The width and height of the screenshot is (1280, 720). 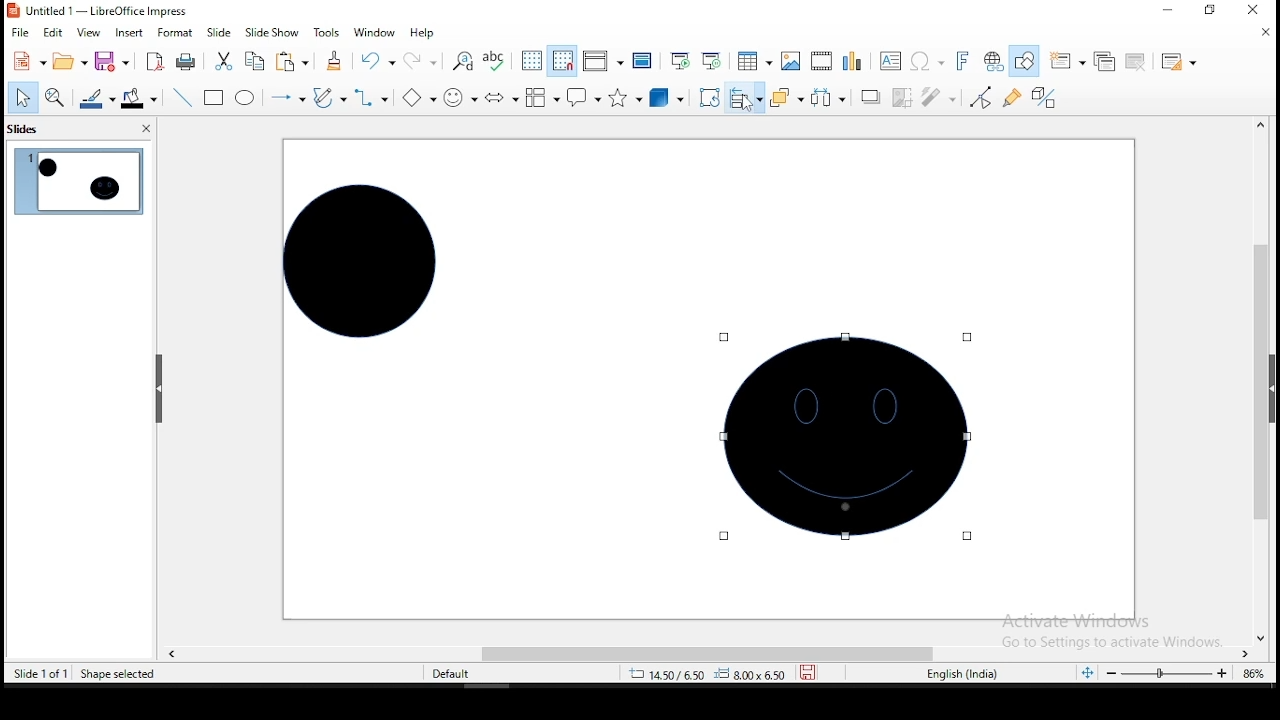 I want to click on mouse pointer, so click(x=749, y=104).